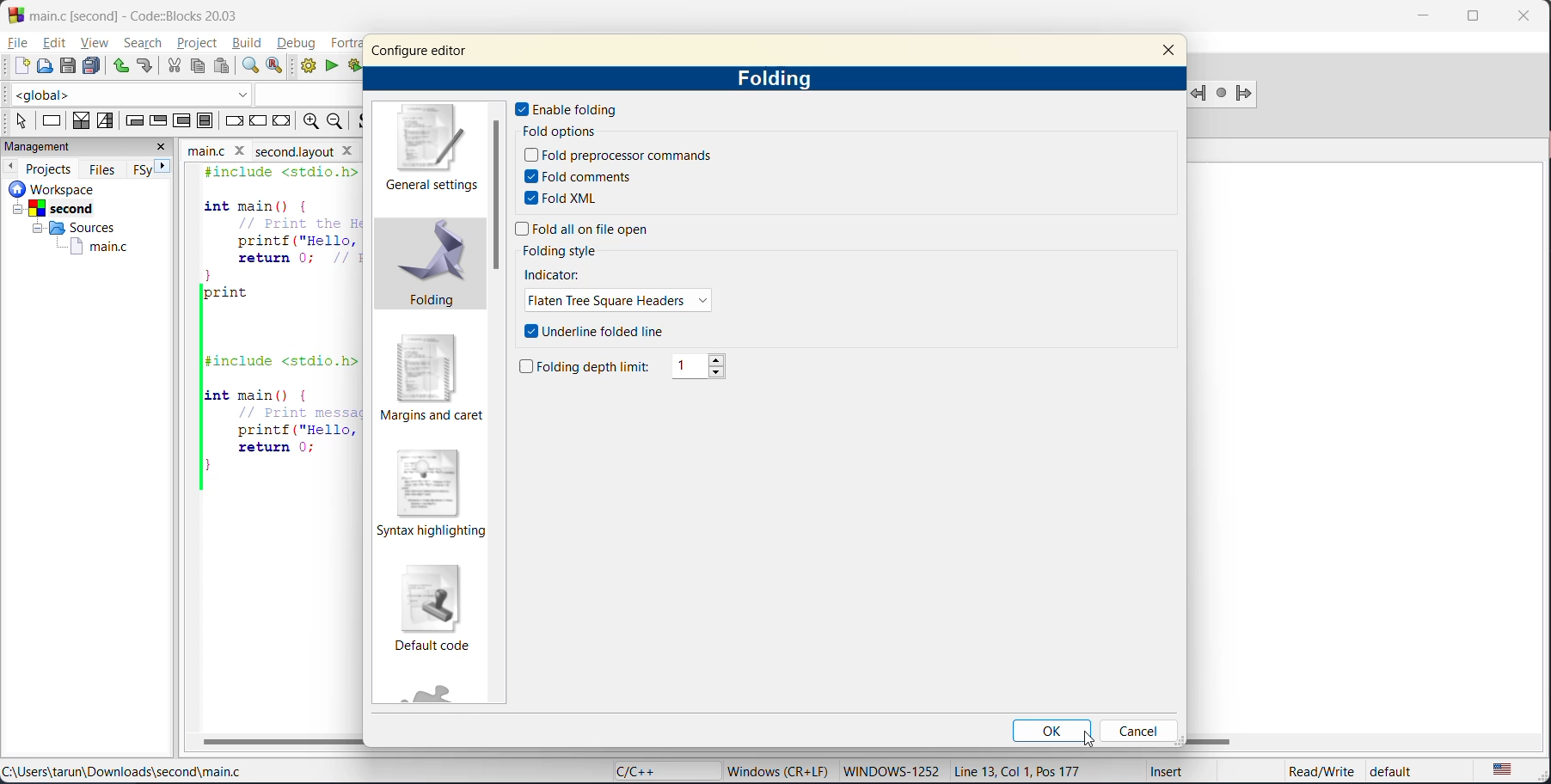 This screenshot has width=1551, height=784. What do you see at coordinates (20, 43) in the screenshot?
I see `file` at bounding box center [20, 43].